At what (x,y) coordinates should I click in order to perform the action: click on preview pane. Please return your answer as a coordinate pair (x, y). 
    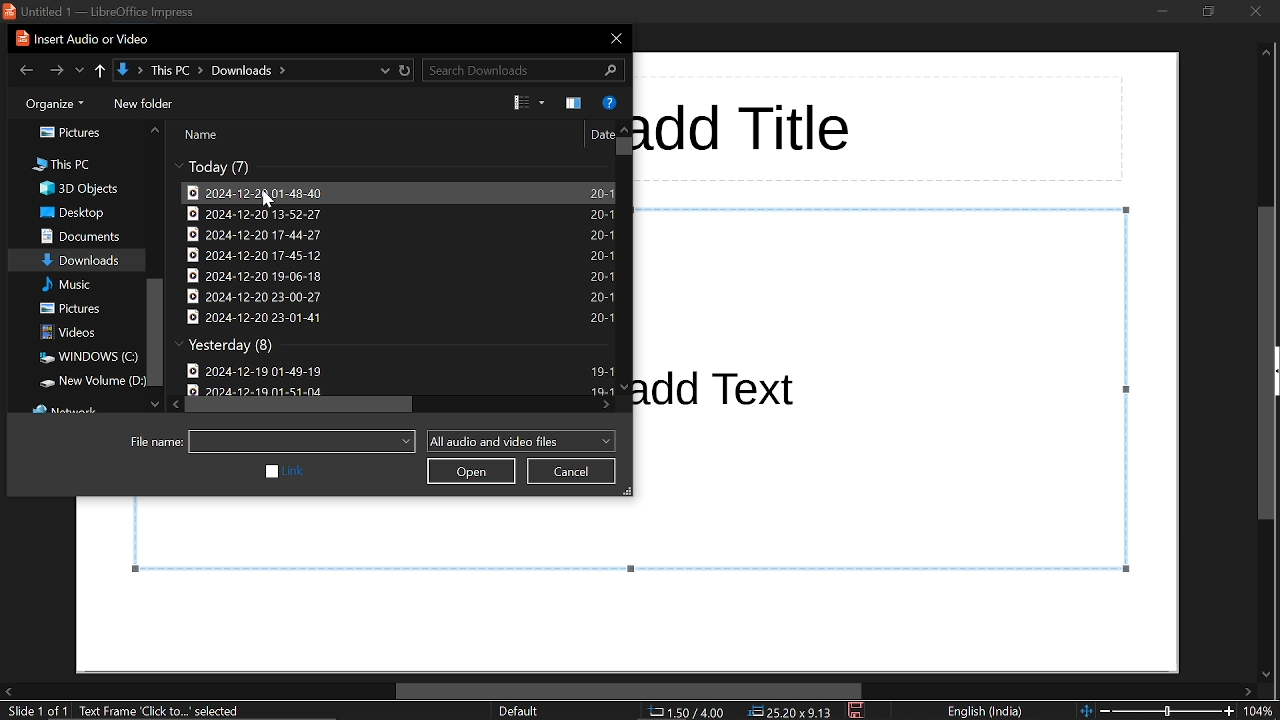
    Looking at the image, I should click on (572, 103).